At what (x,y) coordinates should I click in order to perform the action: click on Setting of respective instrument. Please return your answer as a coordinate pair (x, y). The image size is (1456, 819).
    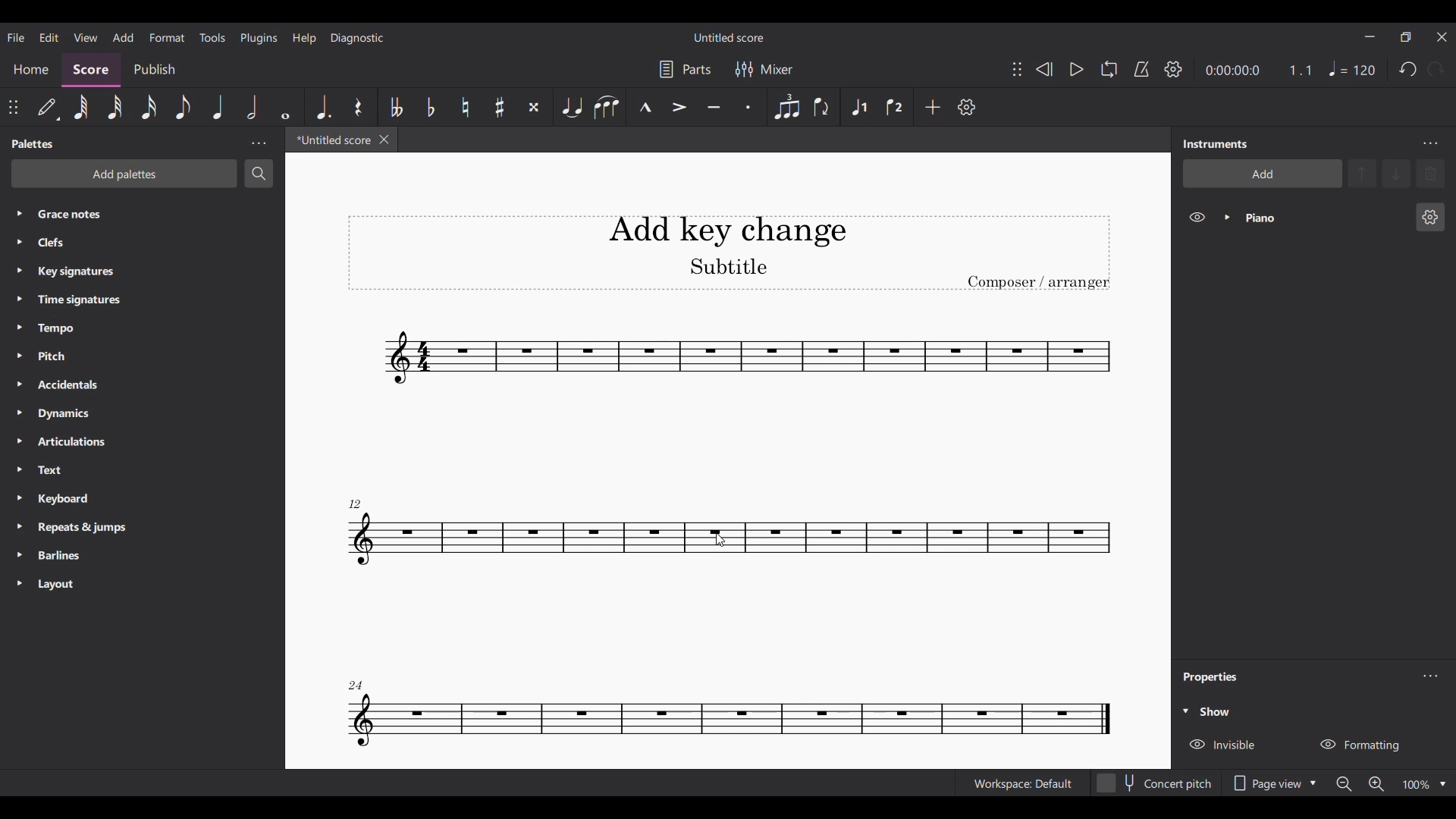
    Looking at the image, I should click on (1429, 217).